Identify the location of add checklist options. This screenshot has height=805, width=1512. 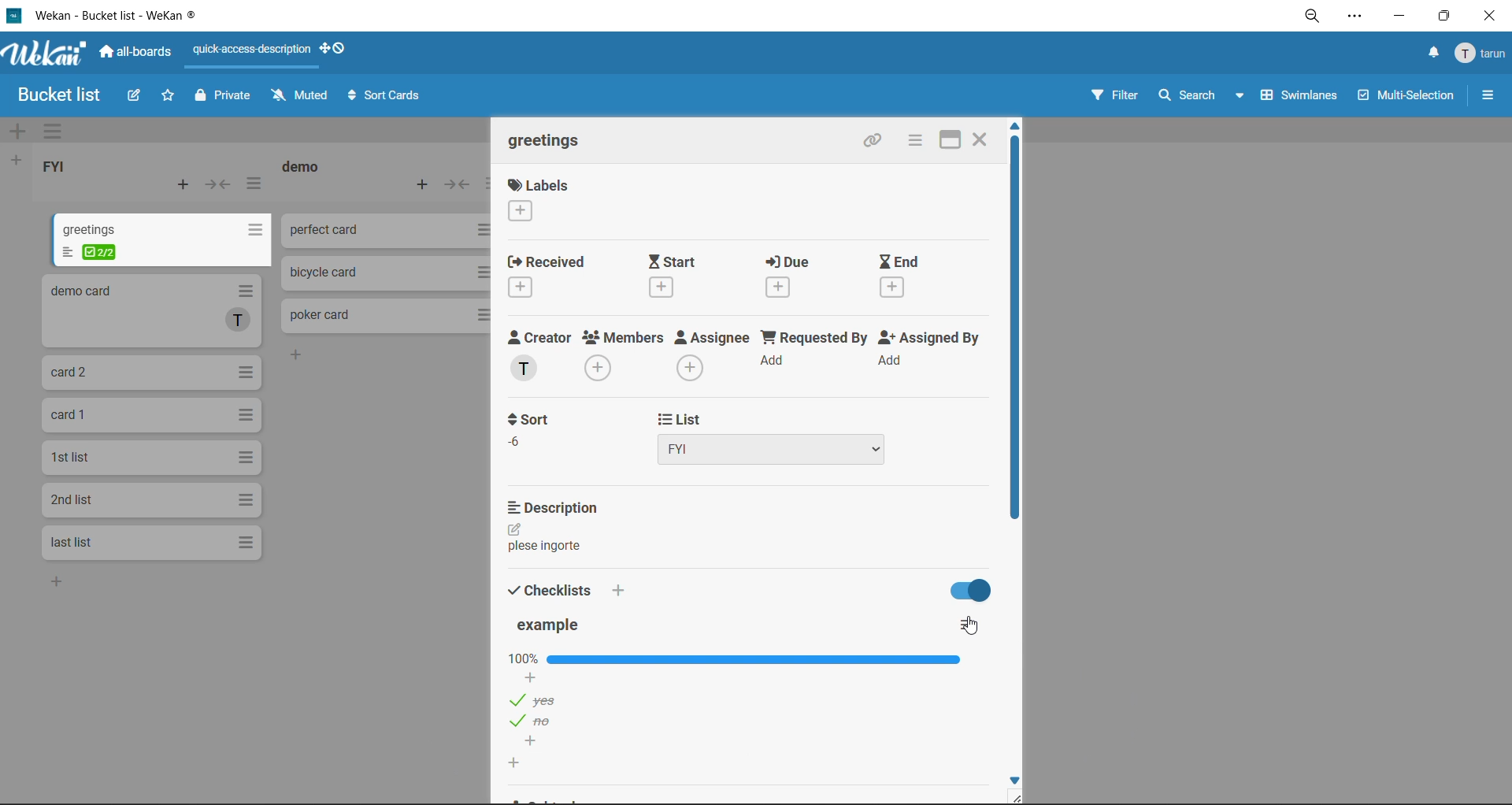
(534, 743).